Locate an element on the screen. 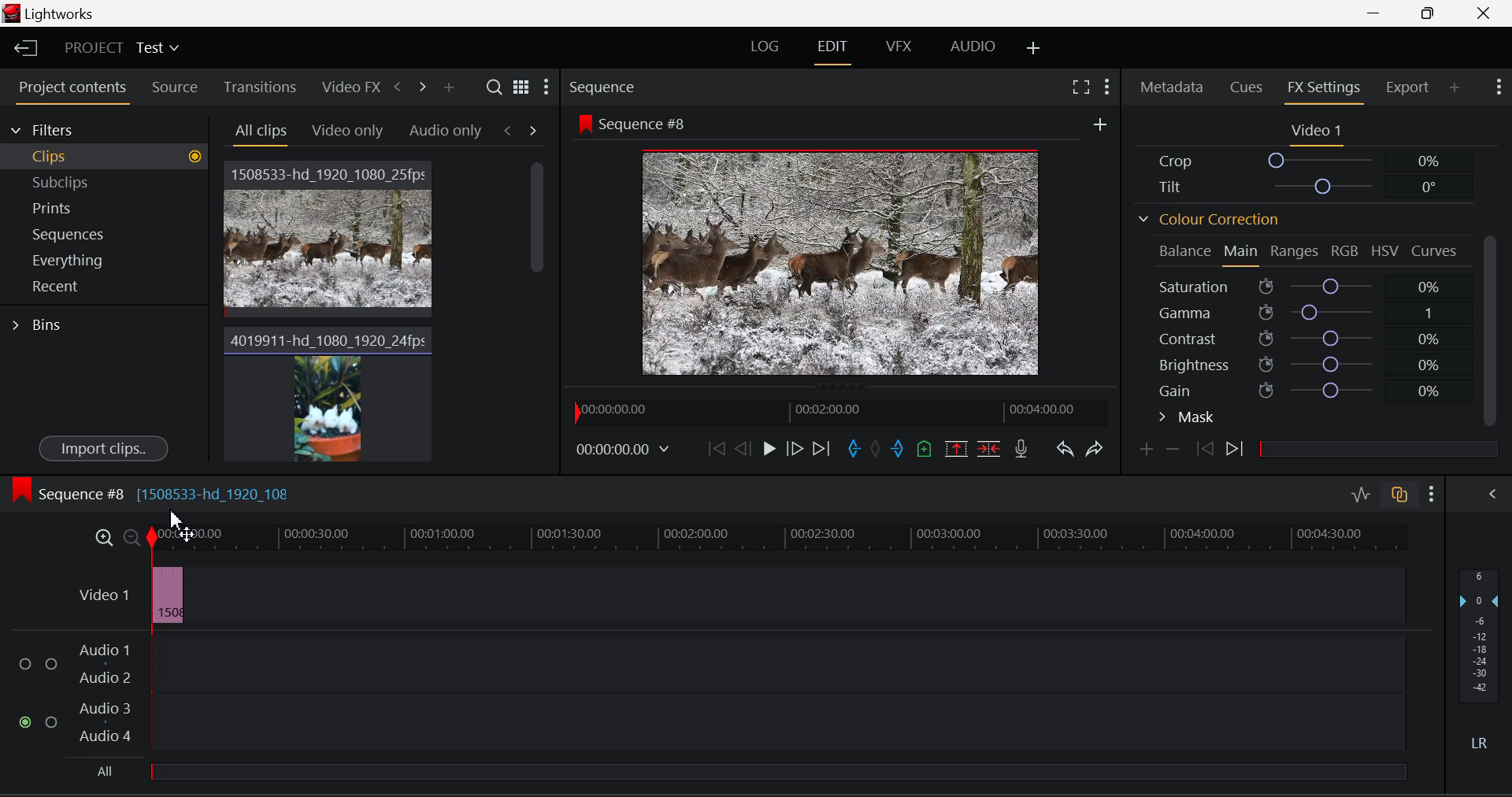 This screenshot has width=1512, height=797. Full Screen is located at coordinates (1080, 89).